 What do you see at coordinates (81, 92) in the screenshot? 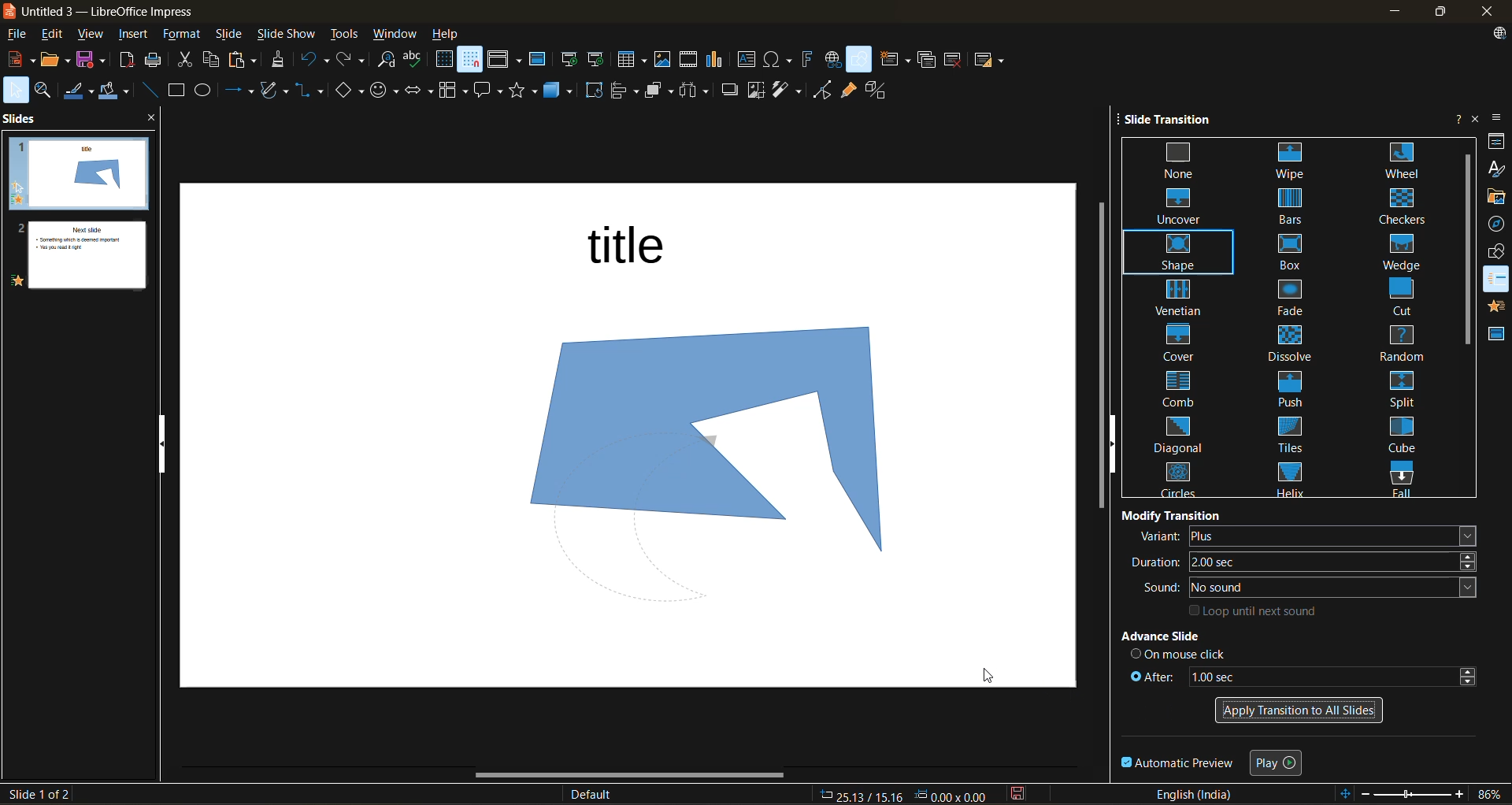
I see `line color` at bounding box center [81, 92].